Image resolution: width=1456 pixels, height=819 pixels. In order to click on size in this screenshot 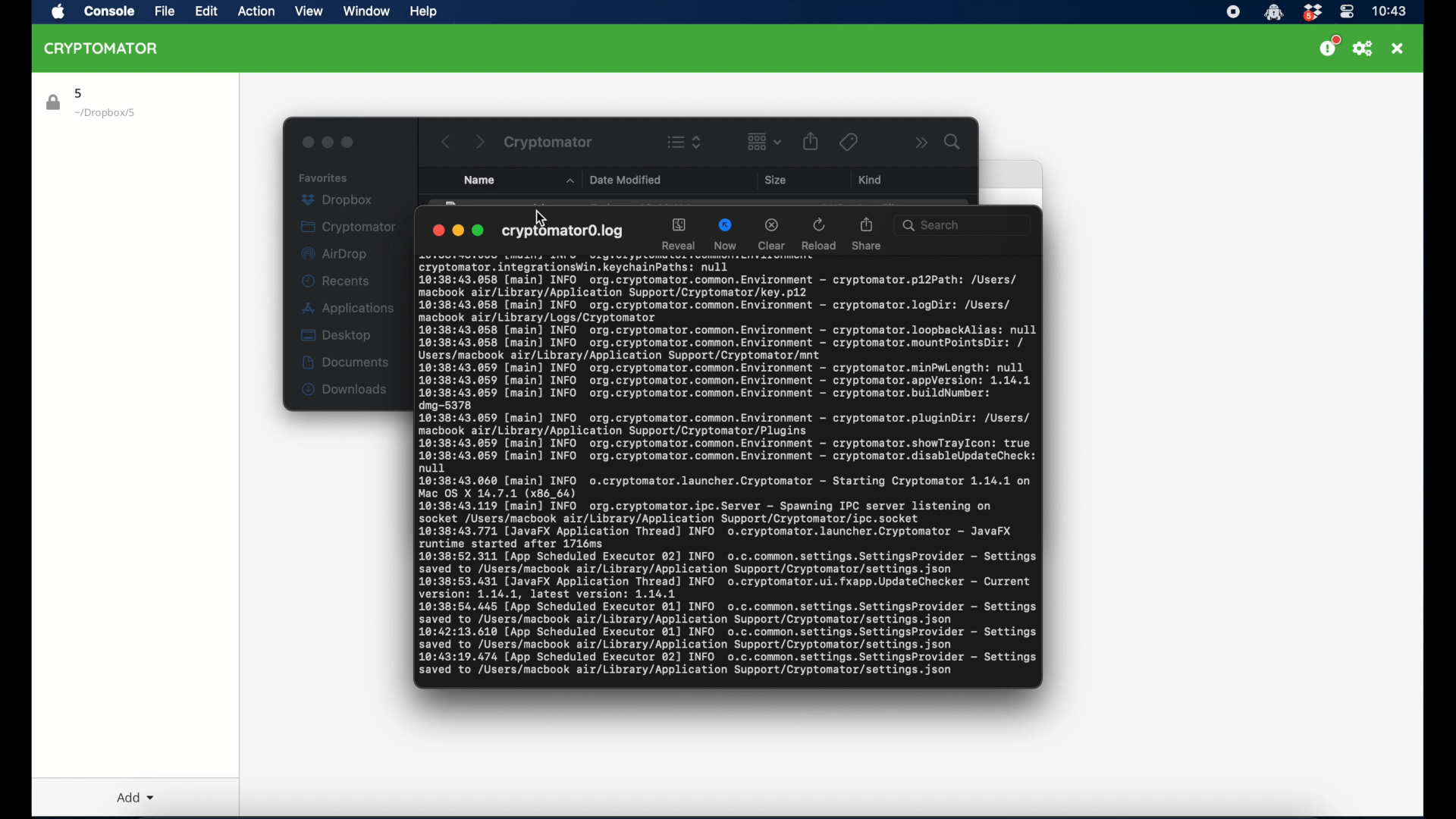, I will do `click(776, 180)`.